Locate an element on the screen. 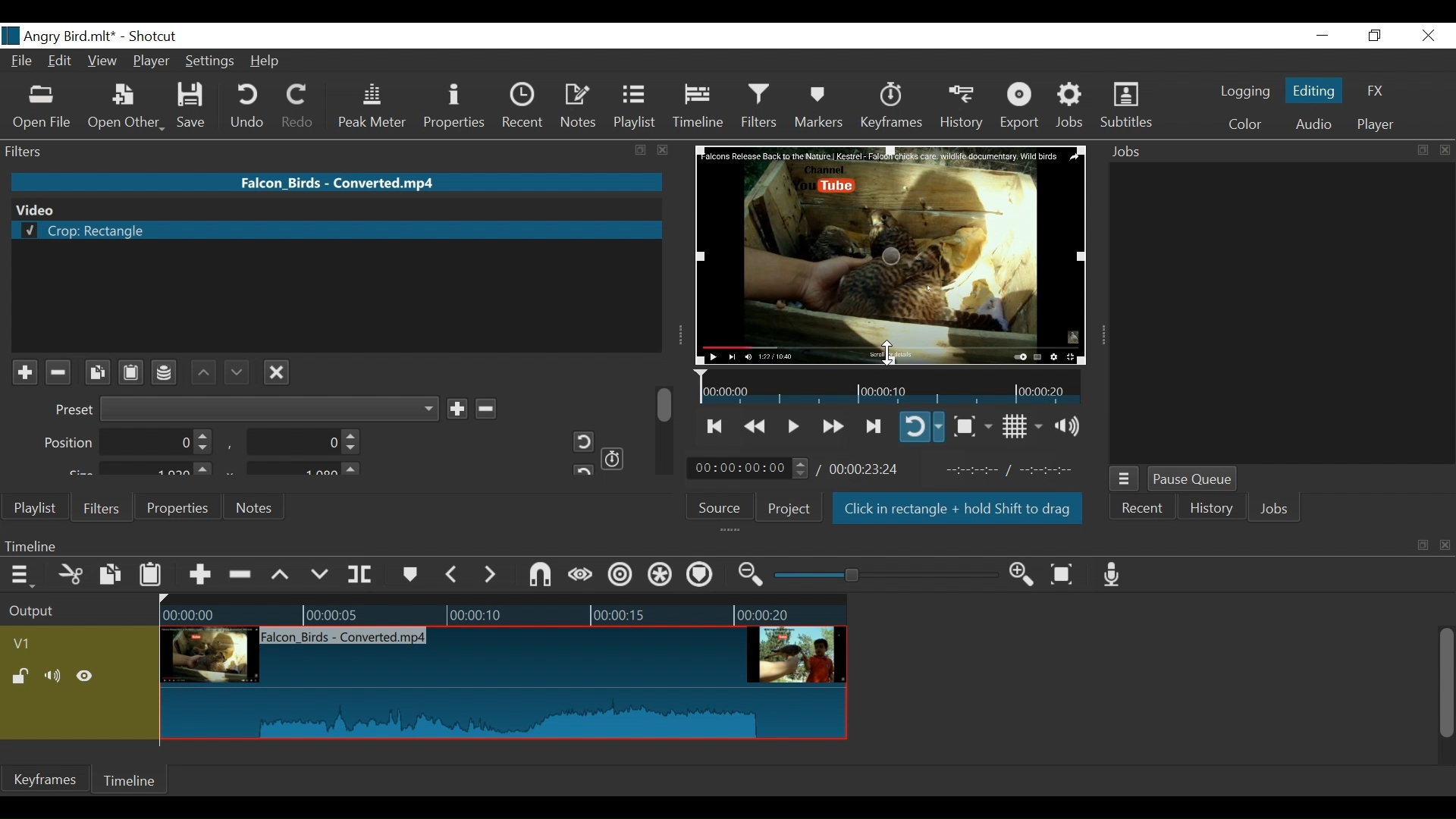 The height and width of the screenshot is (819, 1456). Keyframes is located at coordinates (45, 779).